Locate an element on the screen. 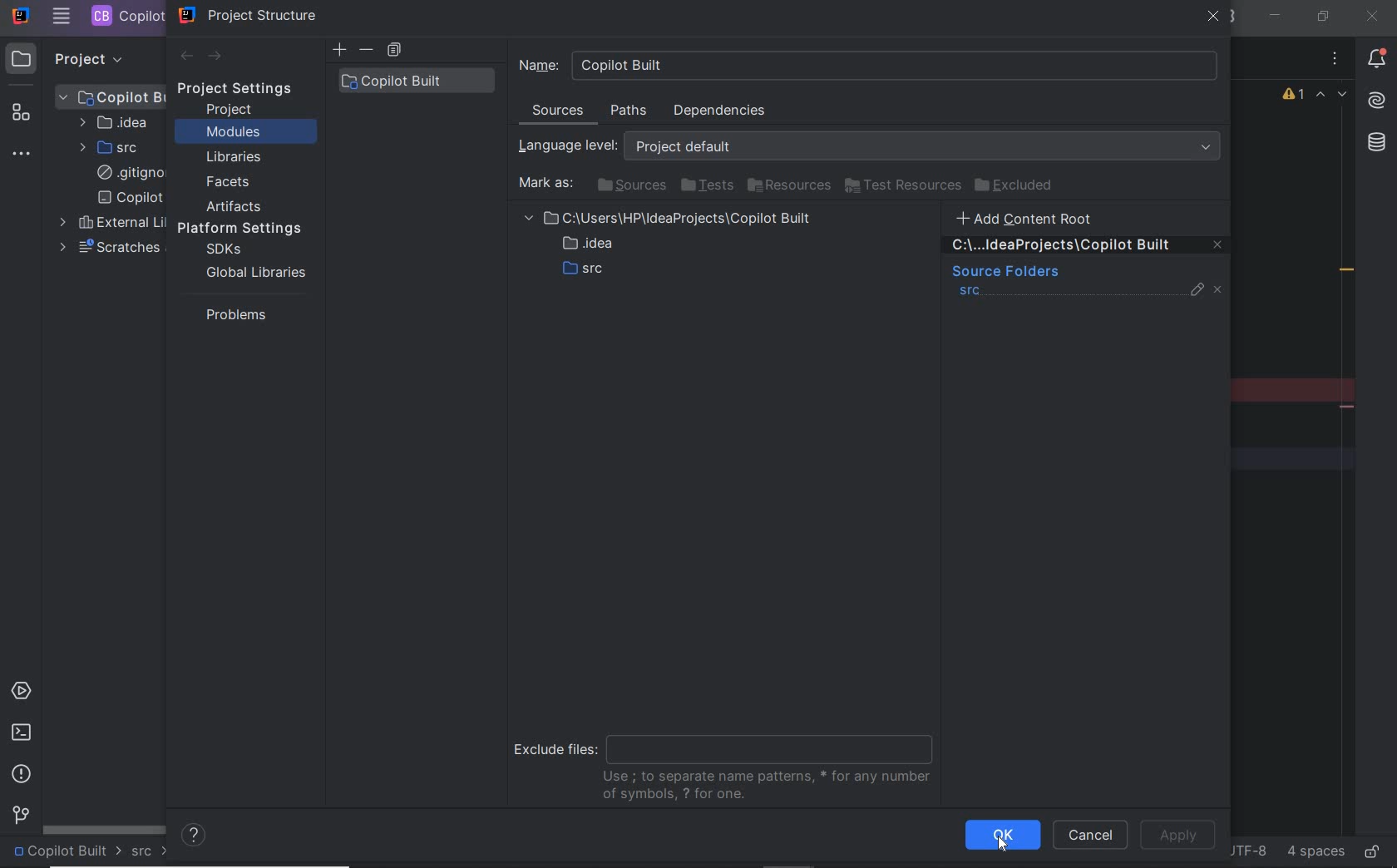 The width and height of the screenshot is (1397, 868). SYSTEM NAME is located at coordinates (19, 17).